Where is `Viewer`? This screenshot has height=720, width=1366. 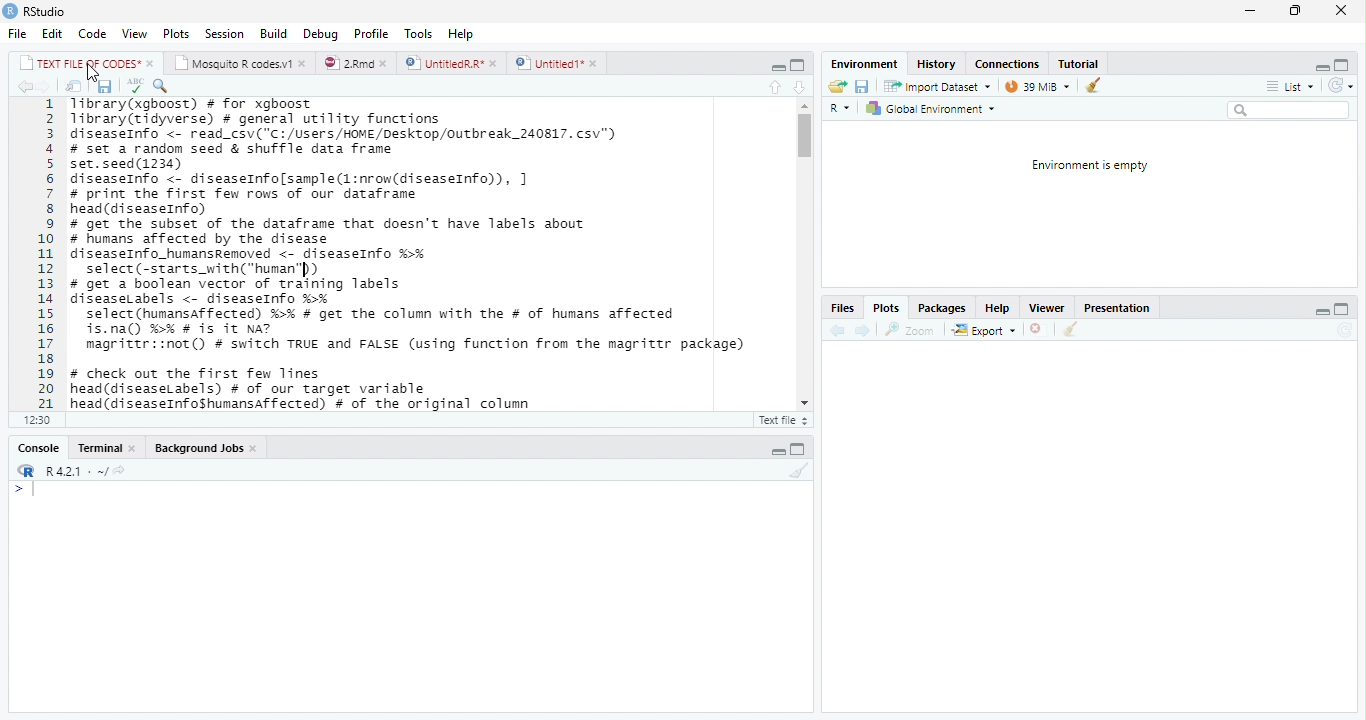
Viewer is located at coordinates (1049, 307).